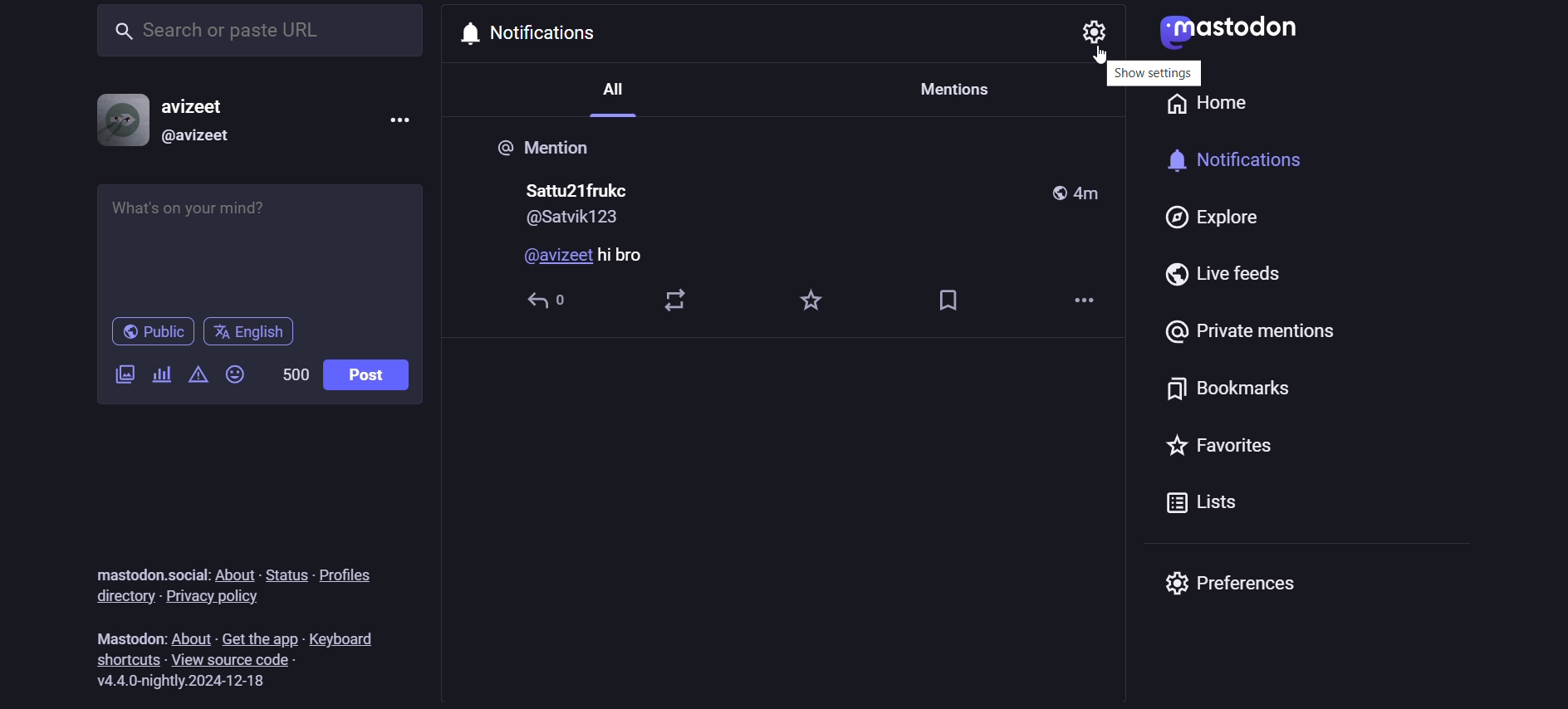  What do you see at coordinates (950, 90) in the screenshot?
I see `Mentions` at bounding box center [950, 90].